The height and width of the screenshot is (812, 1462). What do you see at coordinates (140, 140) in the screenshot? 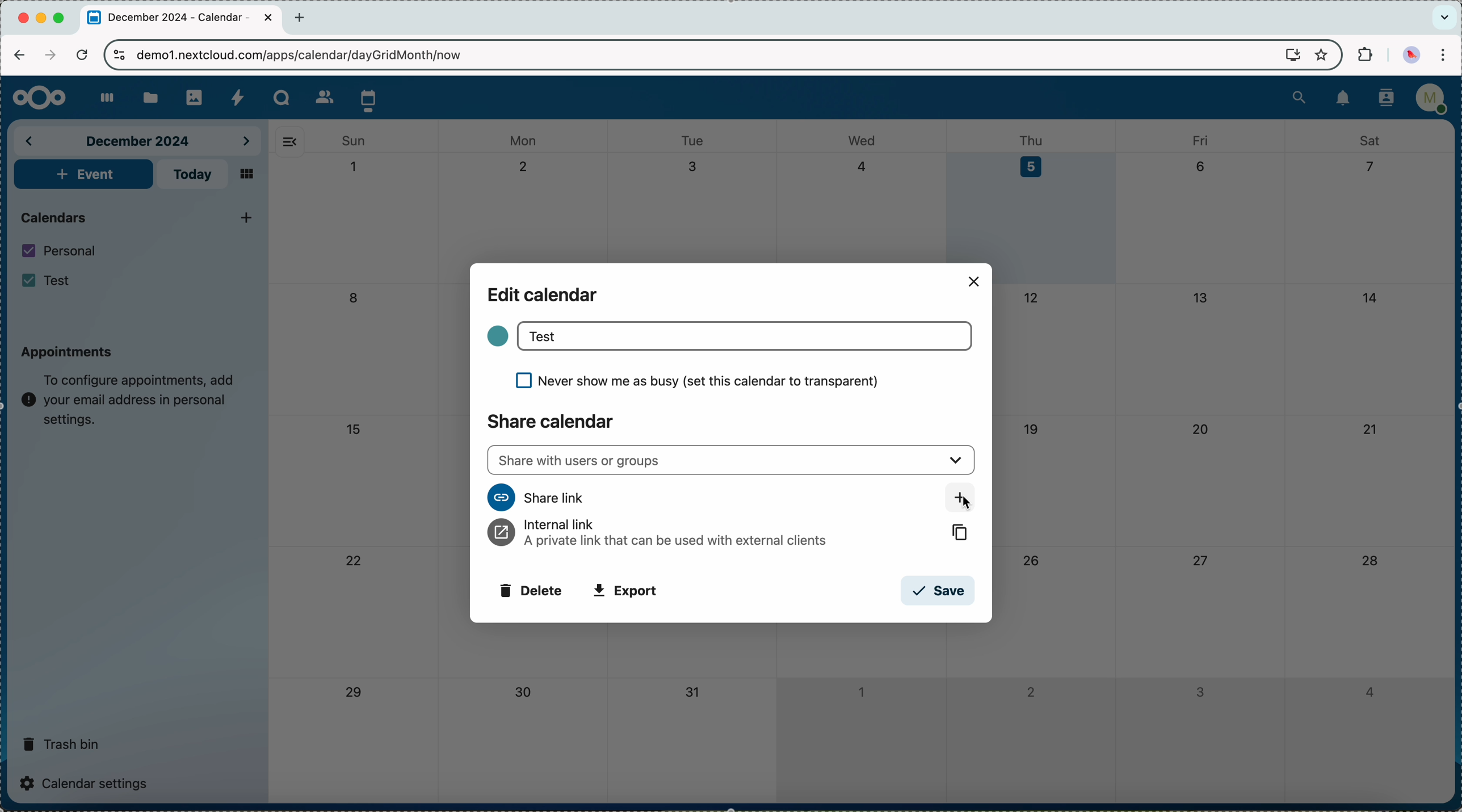
I see `december 2024` at bounding box center [140, 140].